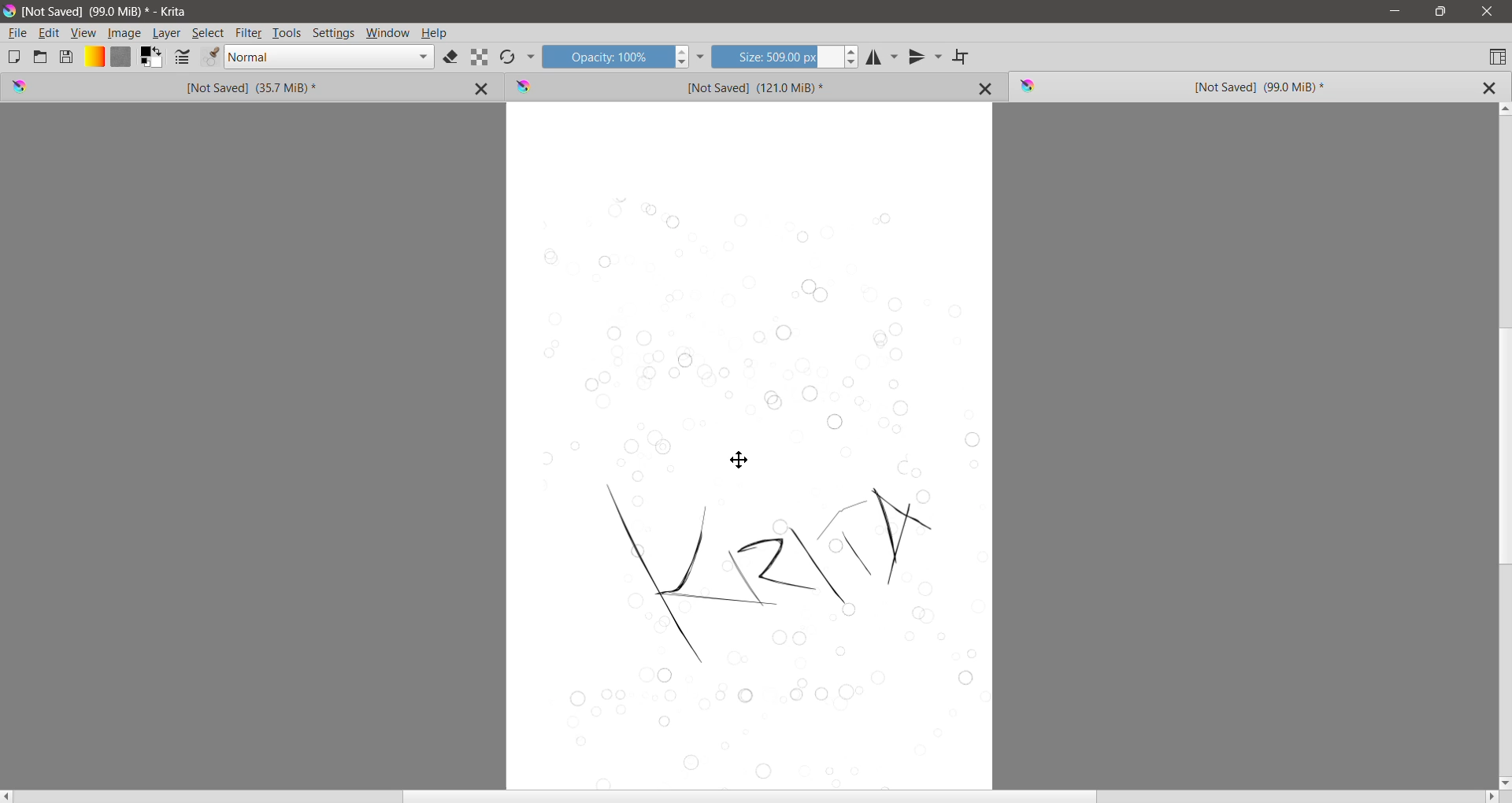 The image size is (1512, 803). What do you see at coordinates (434, 34) in the screenshot?
I see `Help` at bounding box center [434, 34].